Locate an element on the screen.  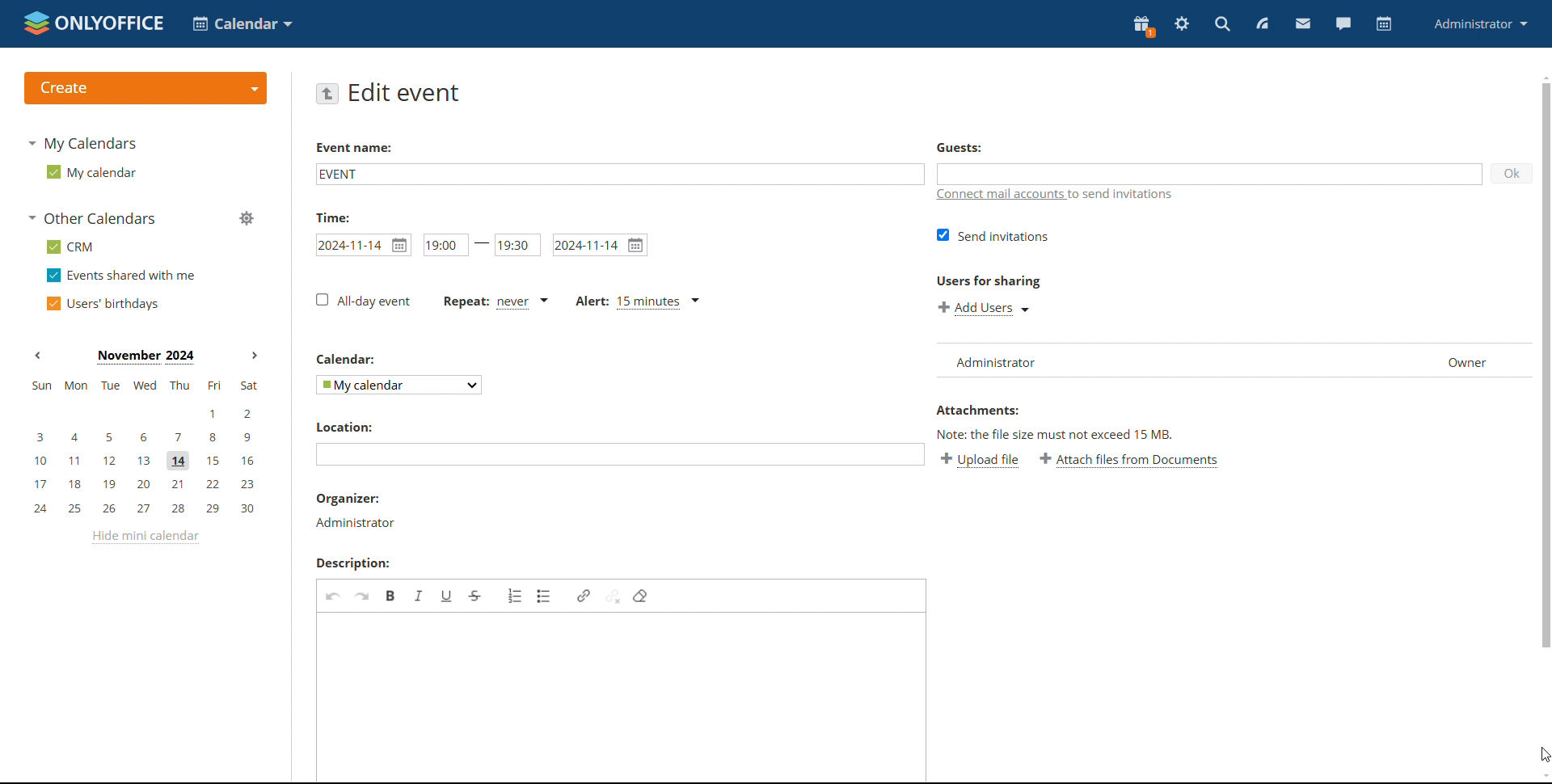
manage is located at coordinates (247, 218).